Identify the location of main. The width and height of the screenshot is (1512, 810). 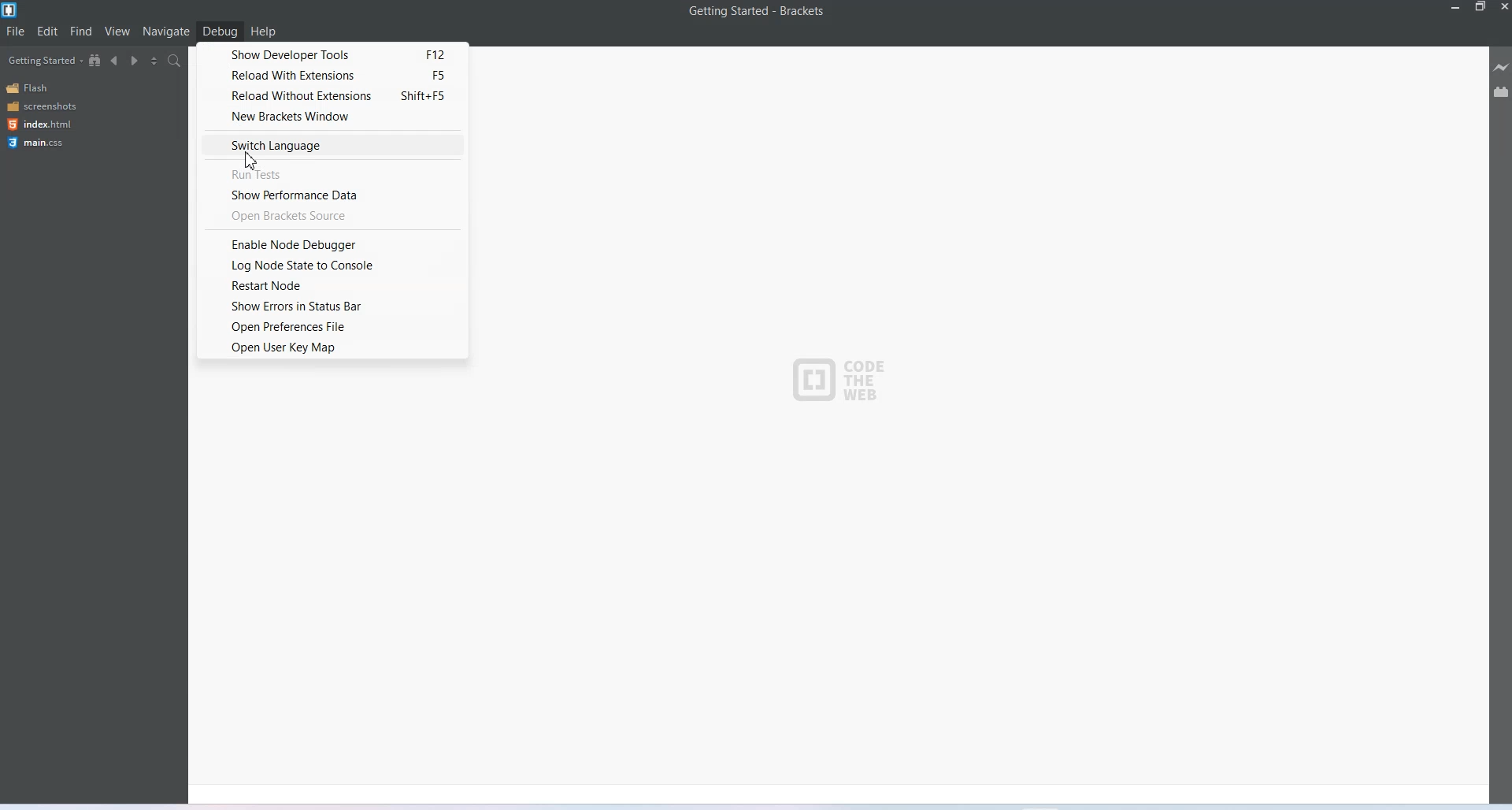
(39, 143).